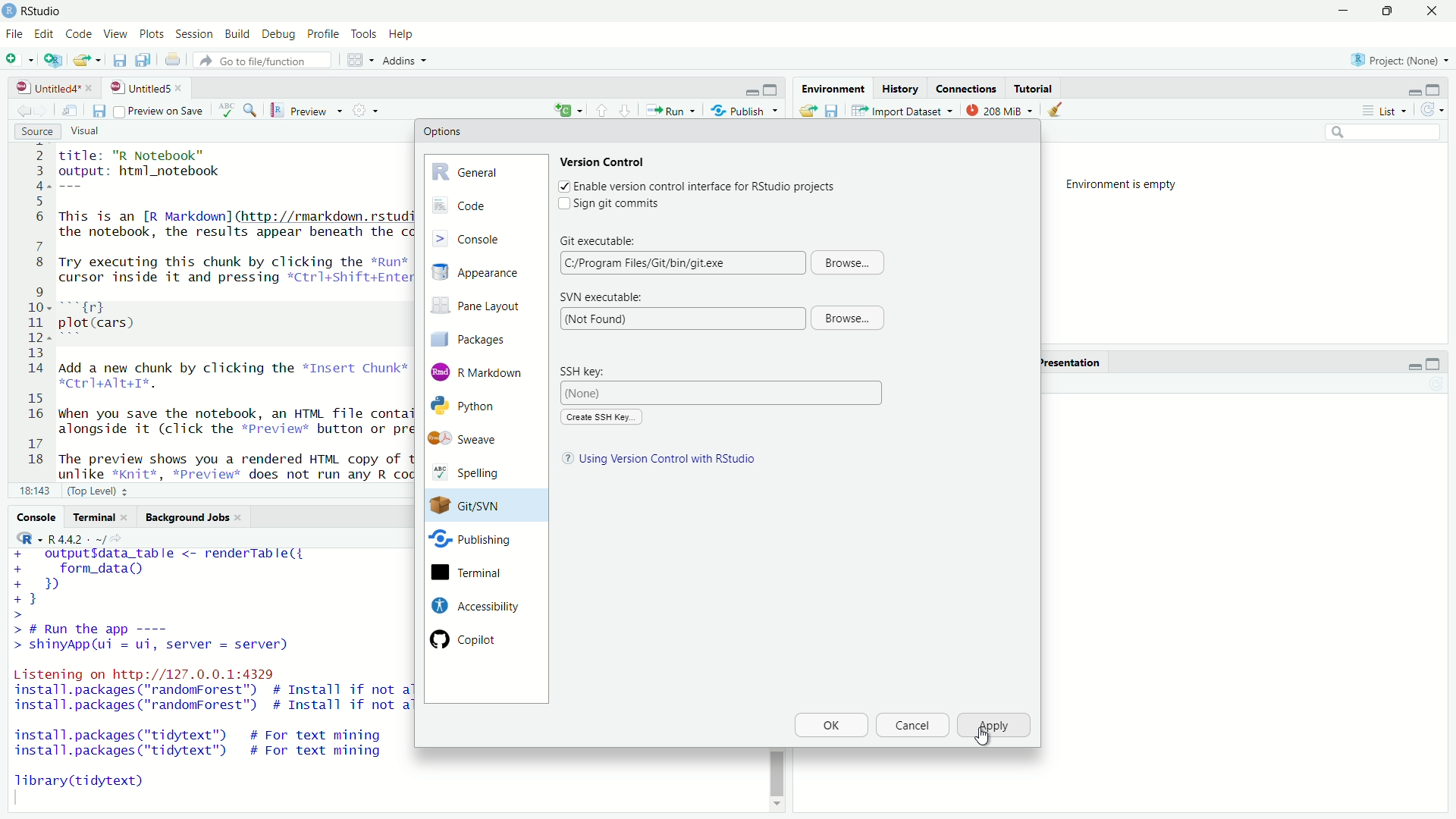 This screenshot has width=1456, height=819. Describe the element at coordinates (44, 35) in the screenshot. I see `Edit` at that location.